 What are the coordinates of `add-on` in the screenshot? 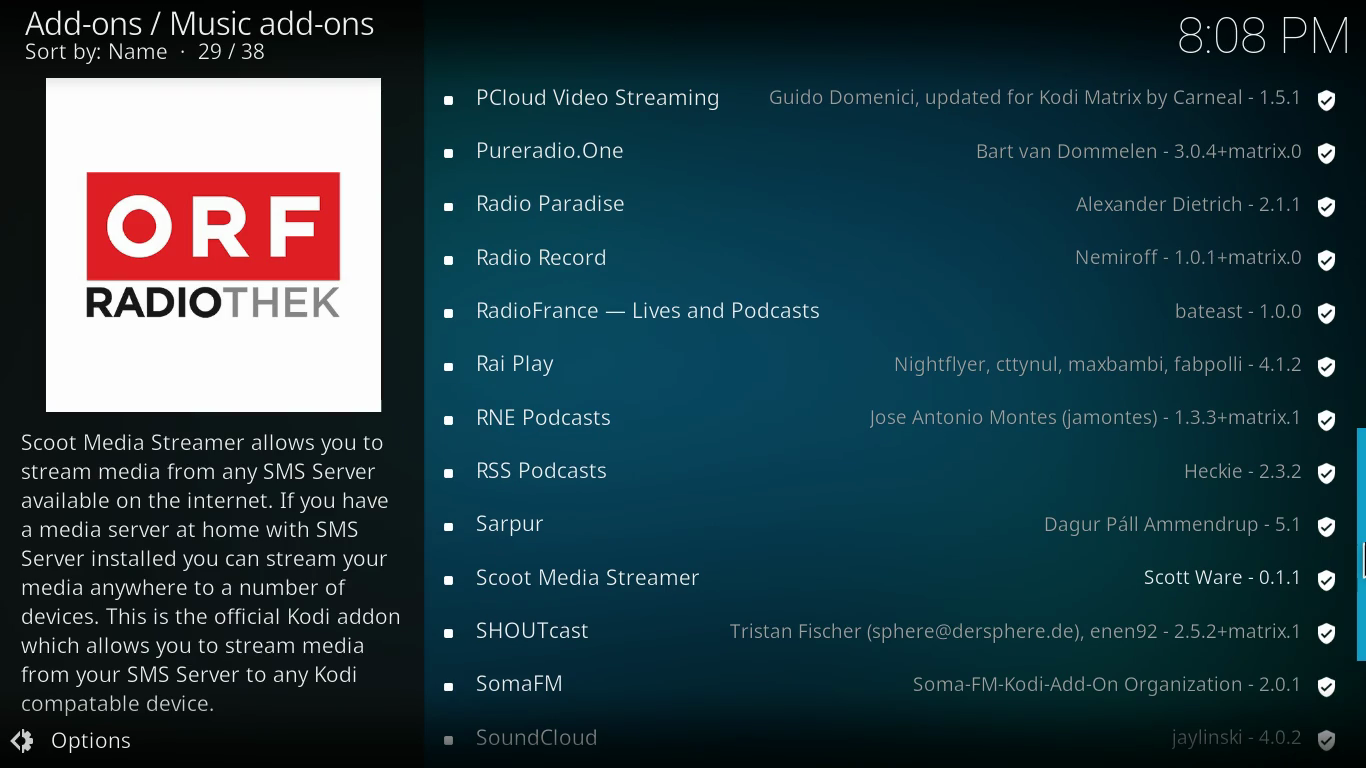 It's located at (635, 314).